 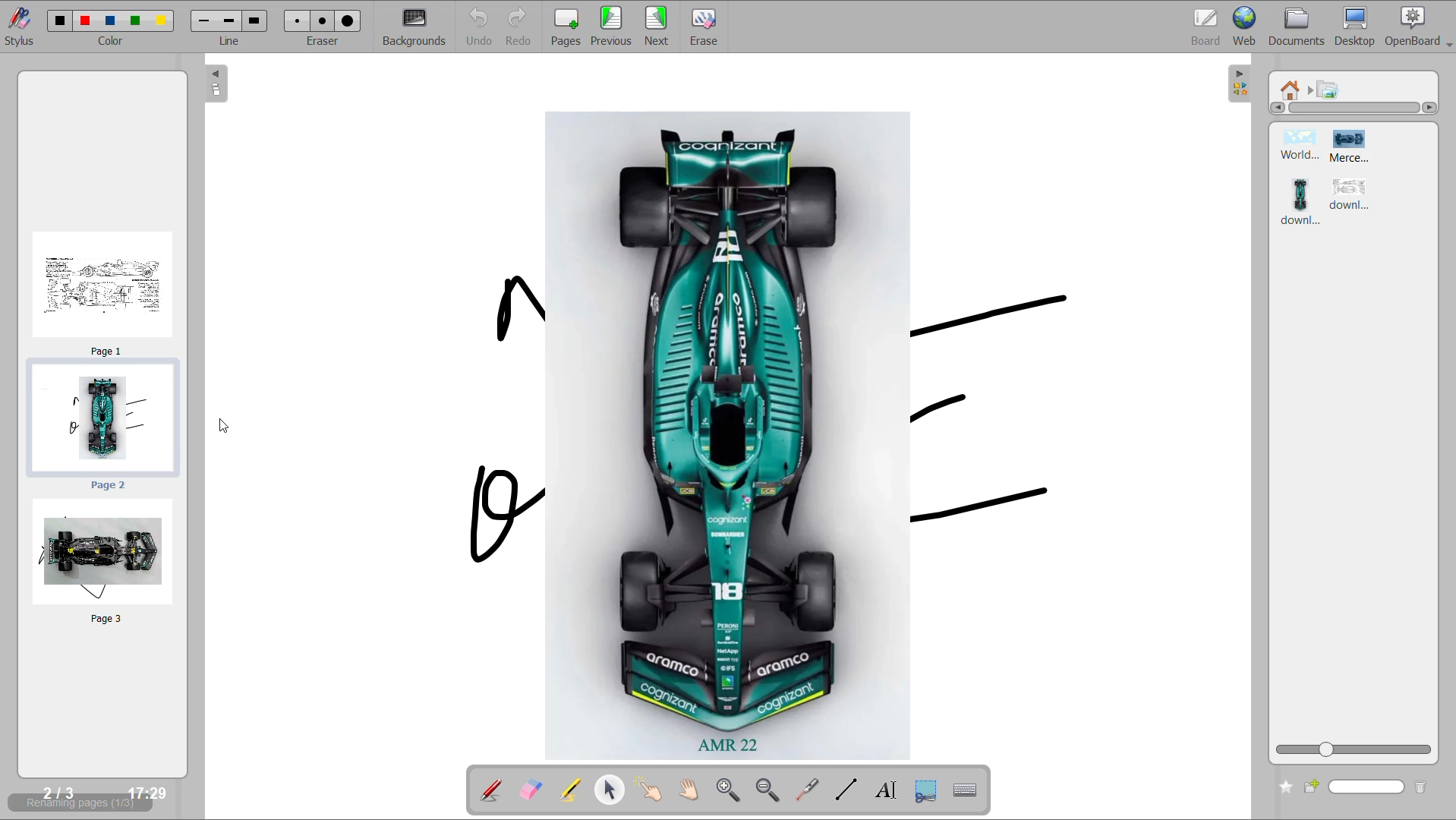 What do you see at coordinates (1367, 785) in the screenshot?
I see `name input` at bounding box center [1367, 785].